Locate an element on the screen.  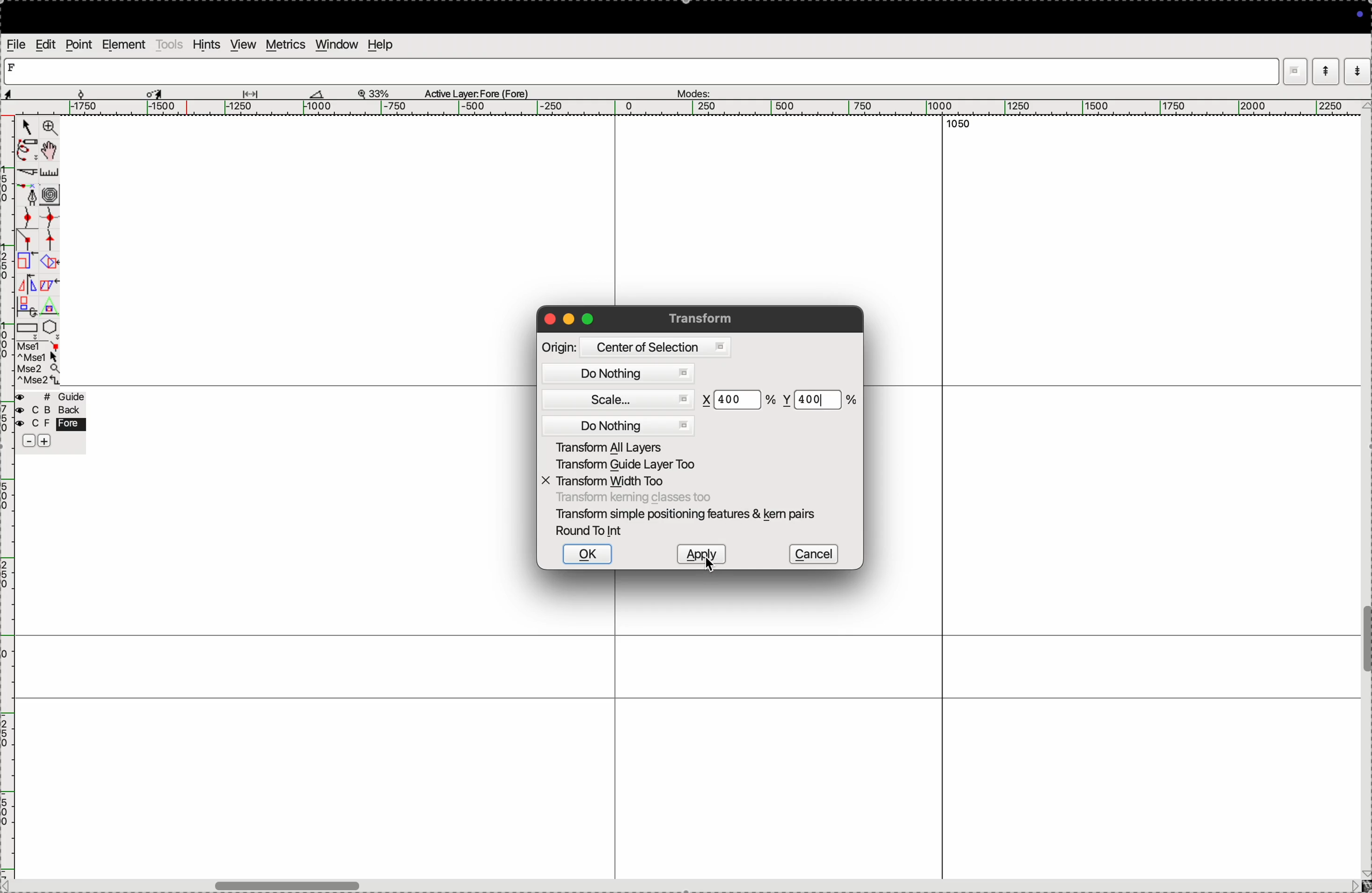
Triangle is located at coordinates (49, 306).